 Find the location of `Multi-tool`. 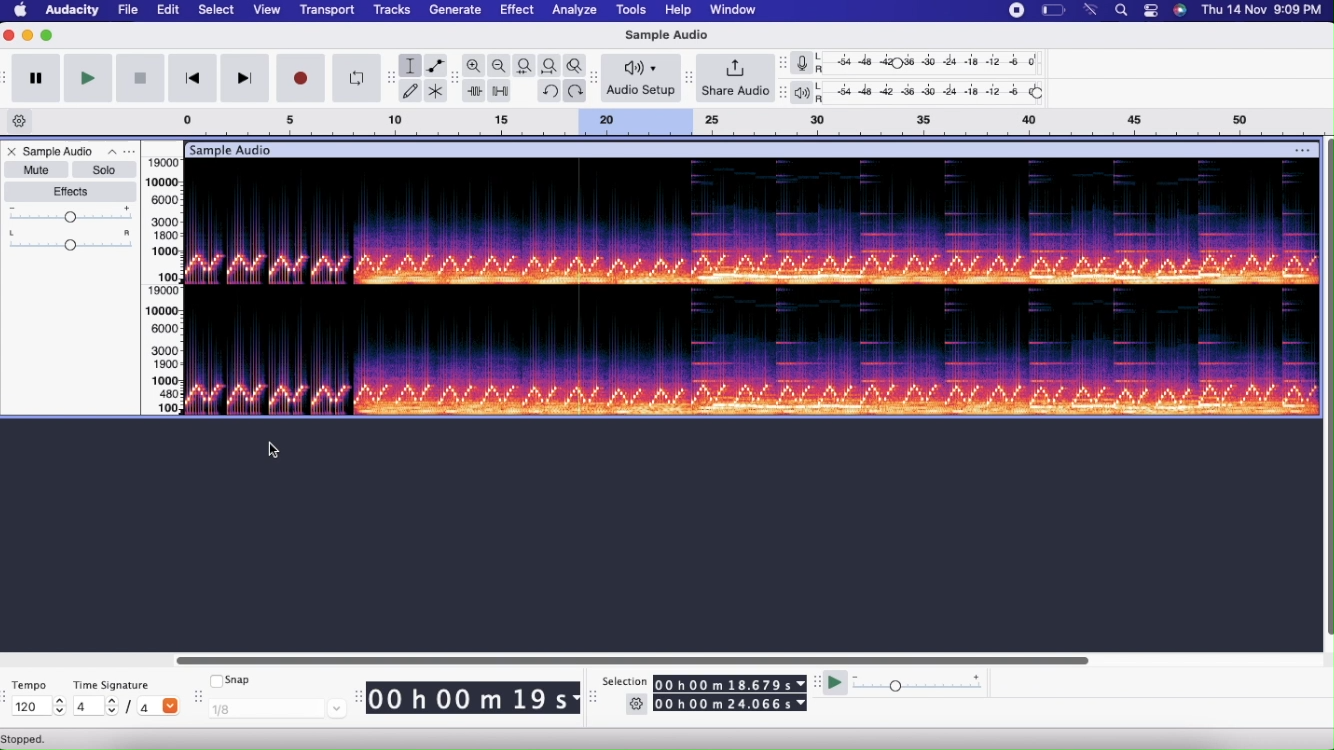

Multi-tool is located at coordinates (435, 91).